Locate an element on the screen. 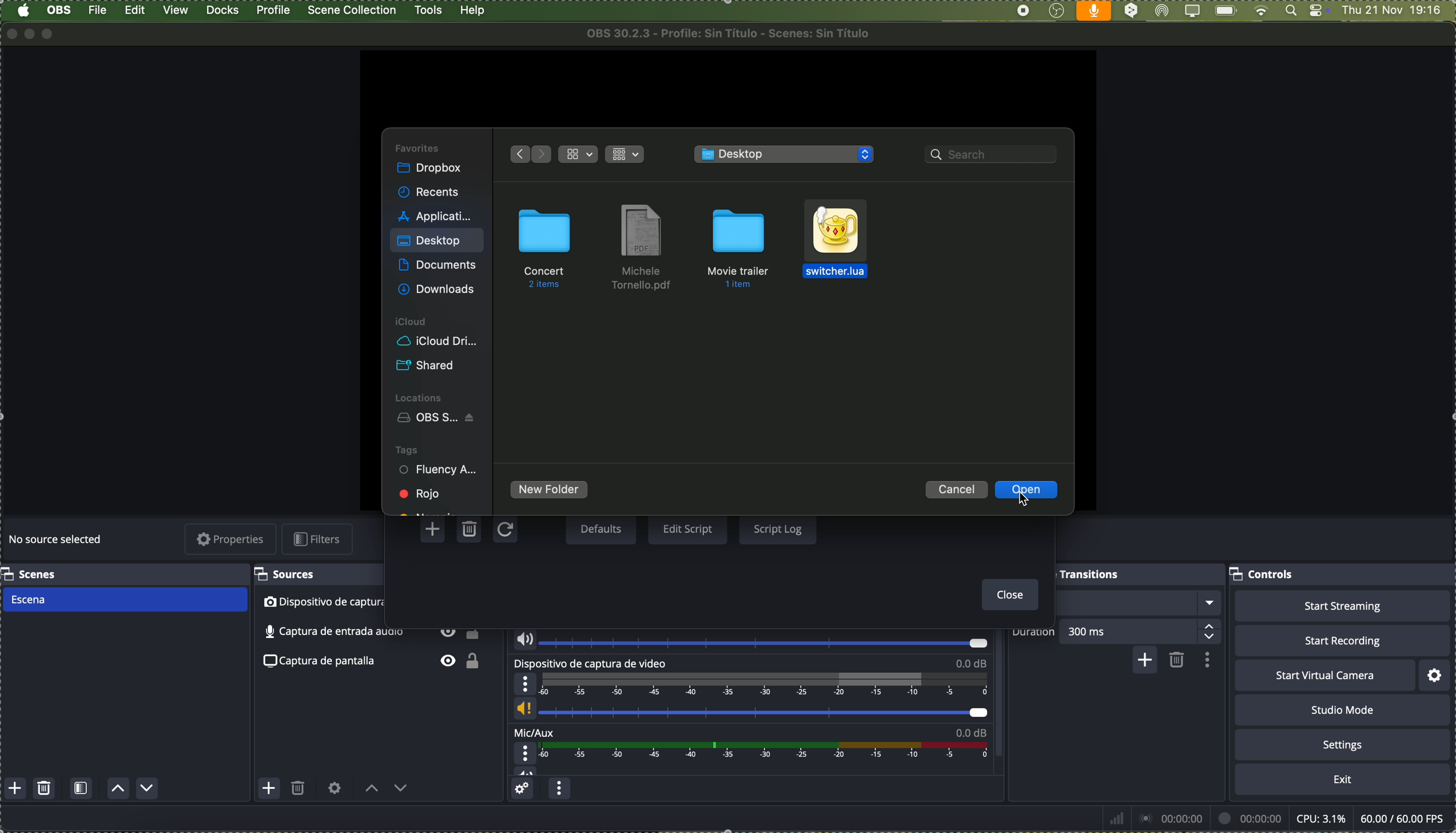 The width and height of the screenshot is (1456, 833). tags is located at coordinates (407, 449).